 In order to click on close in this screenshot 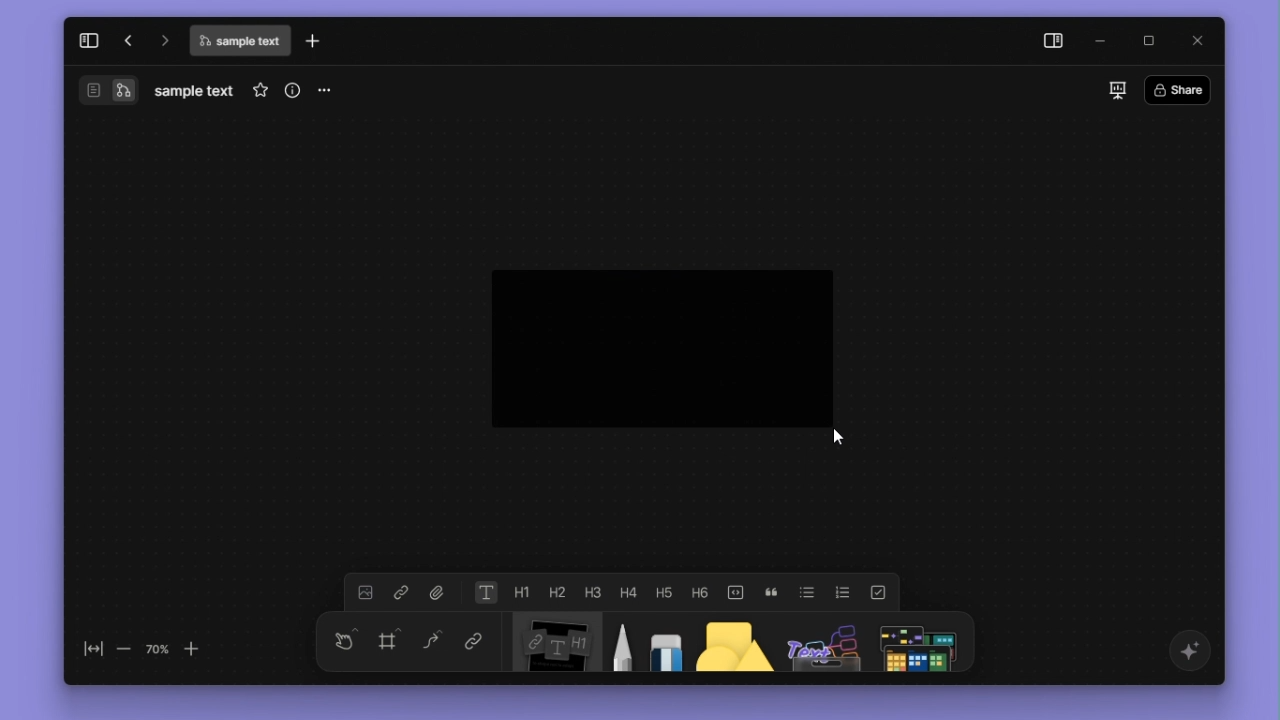, I will do `click(1194, 40)`.